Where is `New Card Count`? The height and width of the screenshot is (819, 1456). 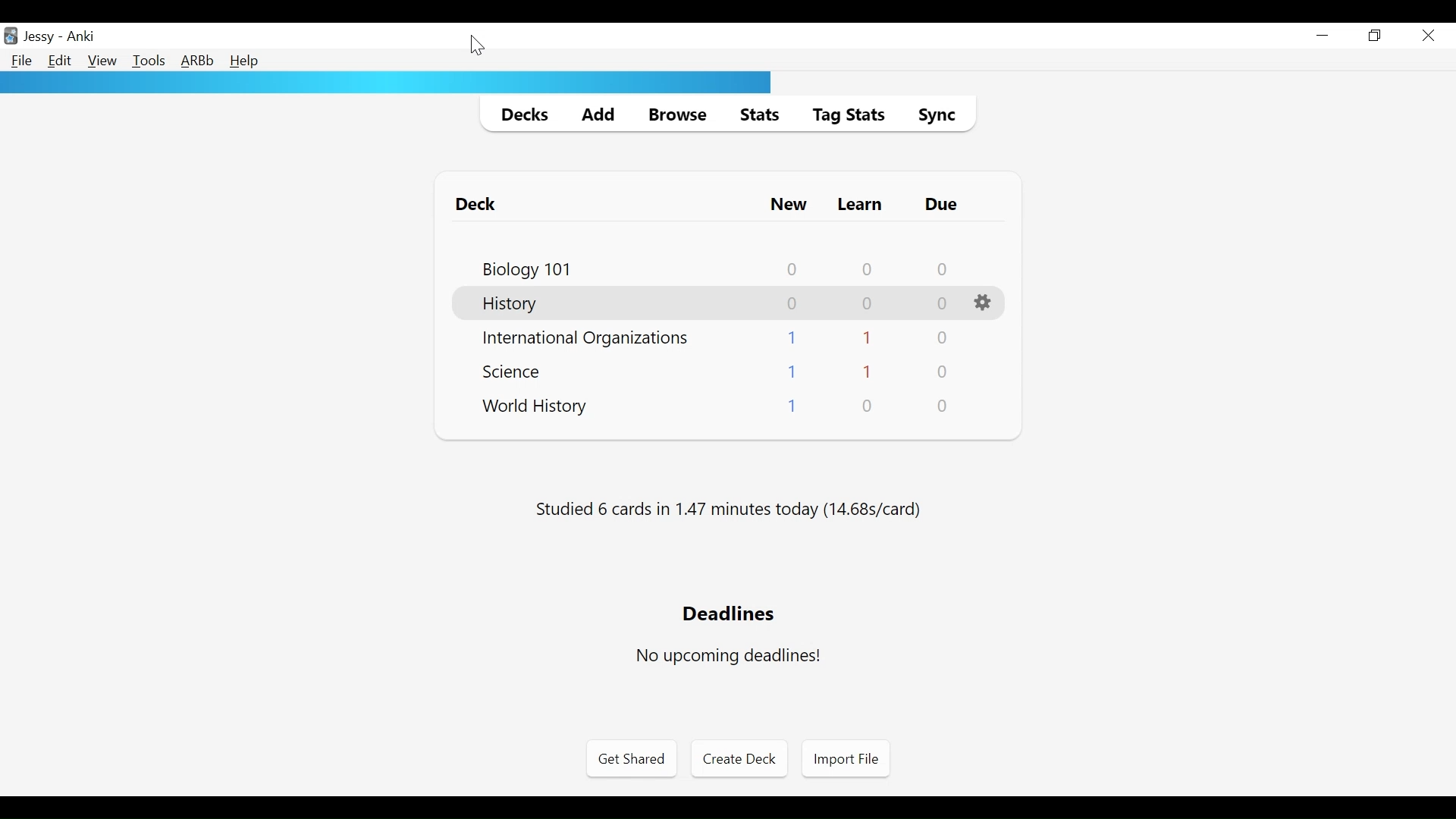 New Card Count is located at coordinates (790, 270).